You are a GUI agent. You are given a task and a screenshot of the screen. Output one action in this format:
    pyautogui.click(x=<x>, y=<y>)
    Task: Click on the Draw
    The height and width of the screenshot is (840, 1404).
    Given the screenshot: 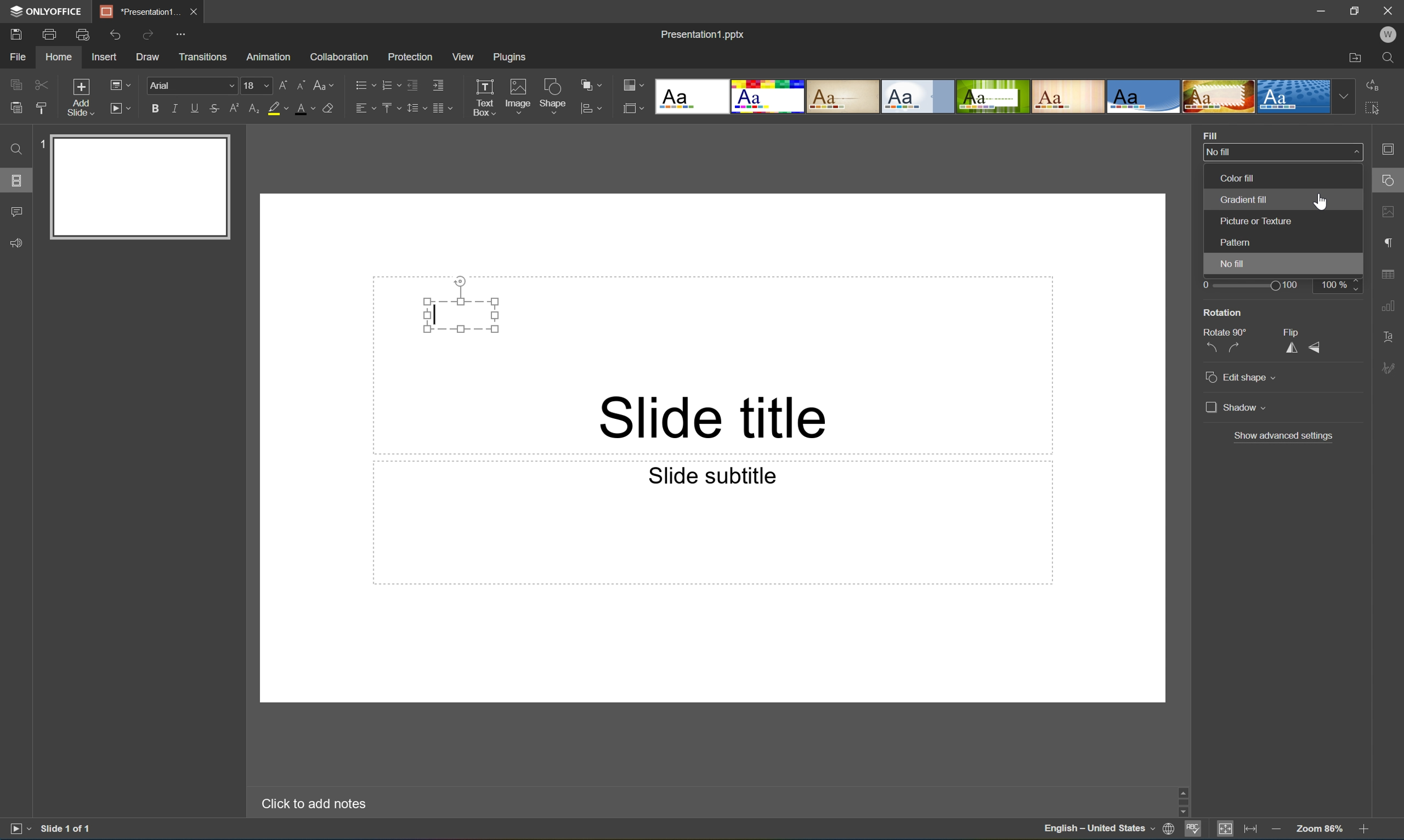 What is the action you would take?
    pyautogui.click(x=149, y=57)
    